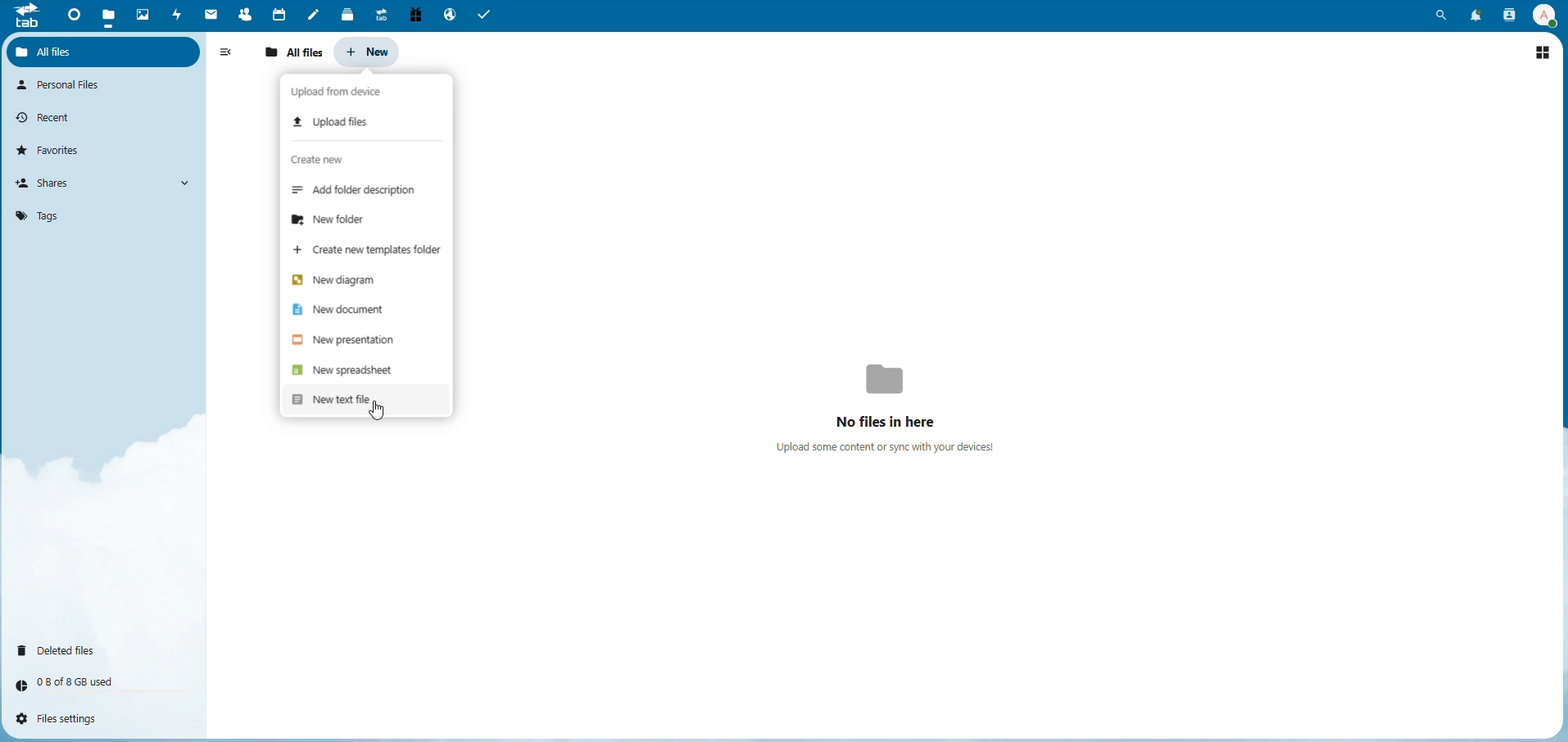 The width and height of the screenshot is (1568, 742). I want to click on new, so click(336, 400).